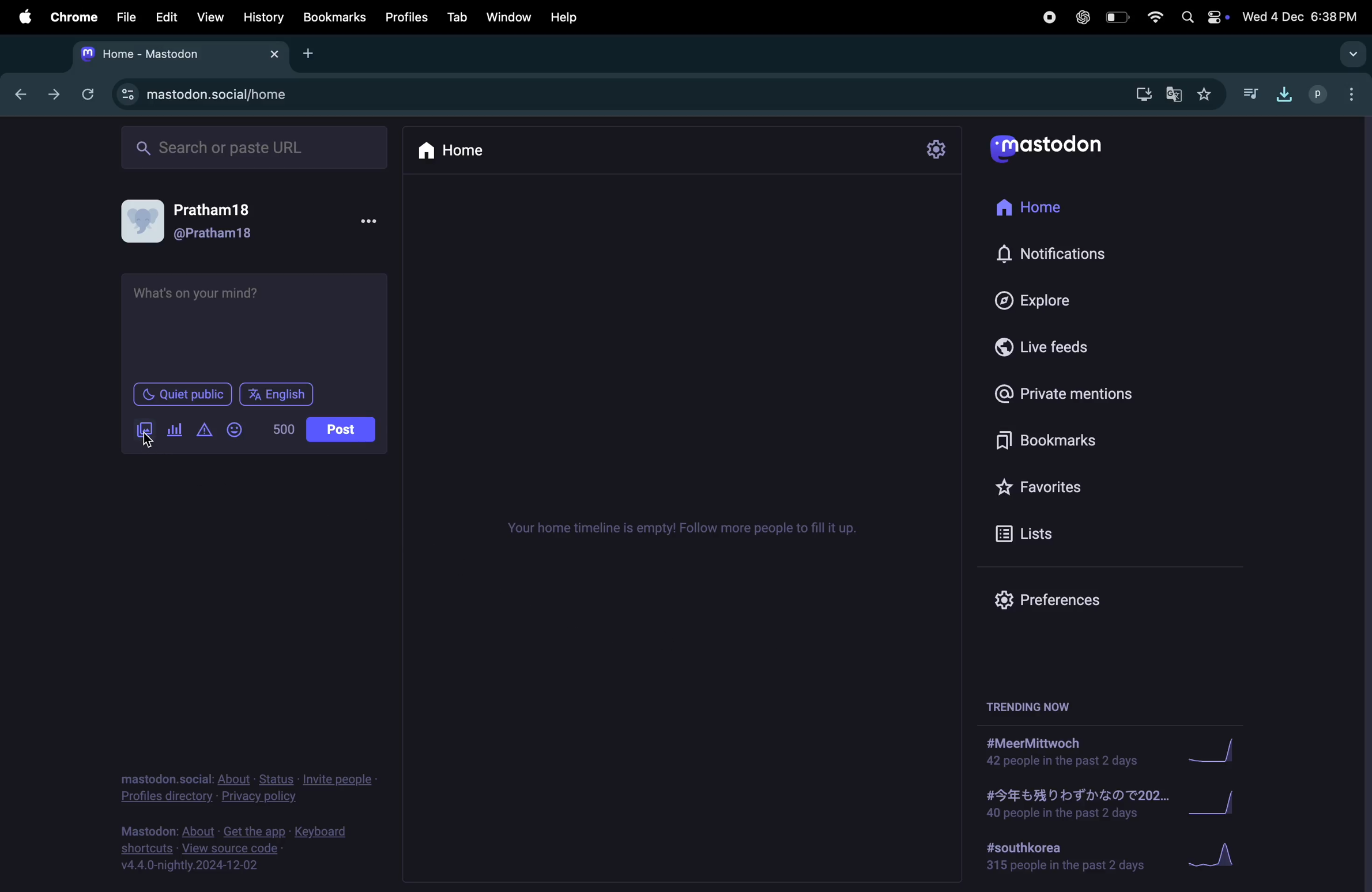  I want to click on Favourites, so click(1050, 488).